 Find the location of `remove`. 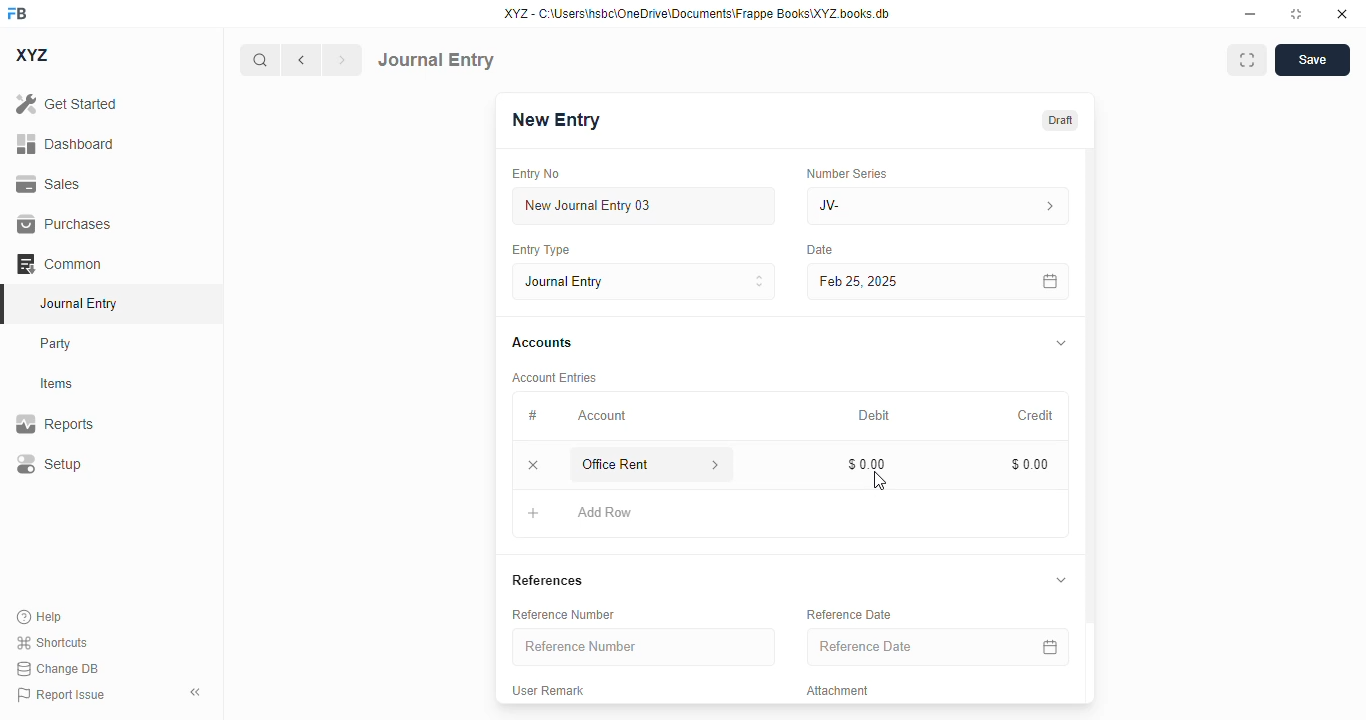

remove is located at coordinates (533, 464).